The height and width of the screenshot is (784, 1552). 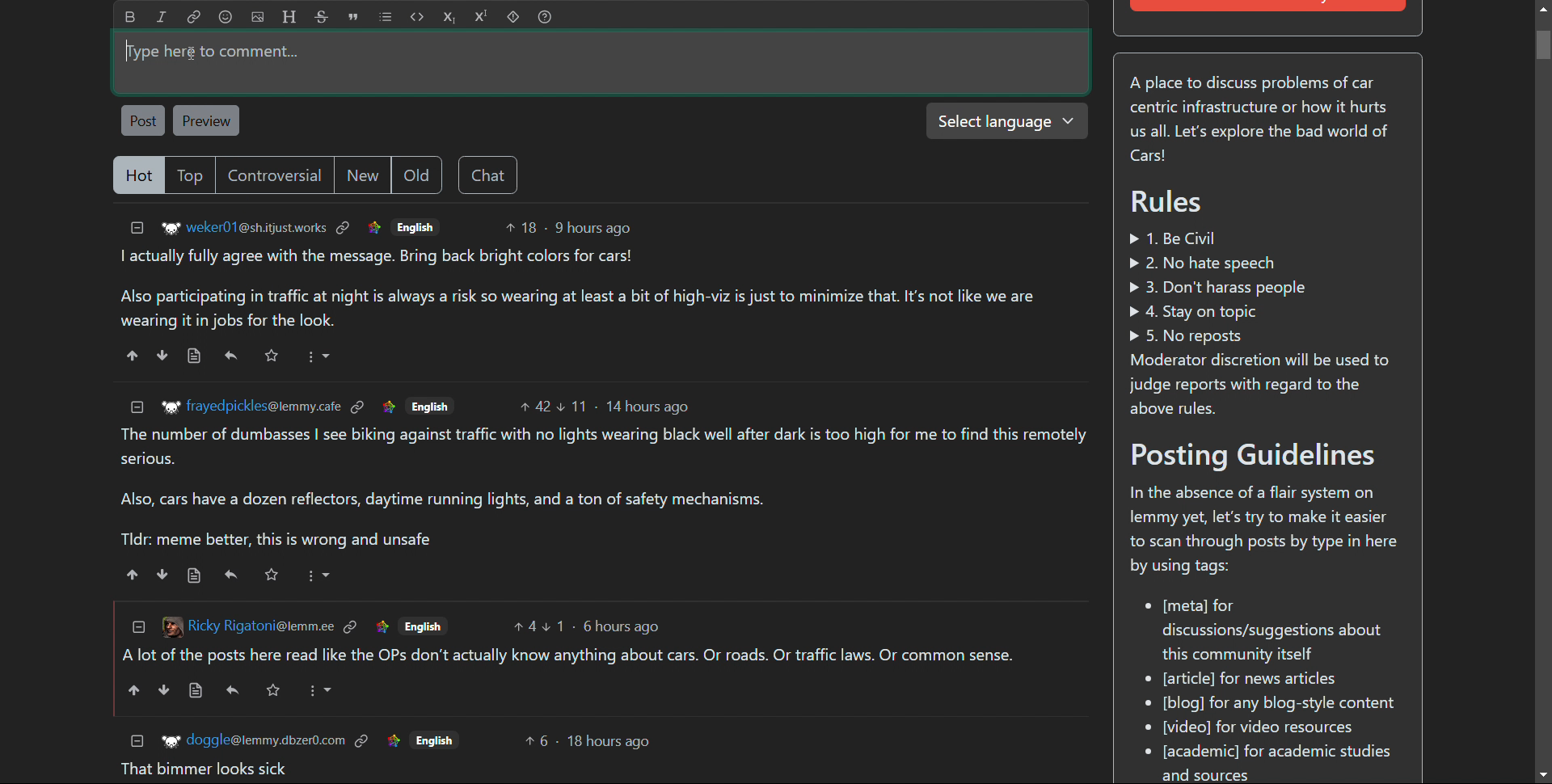 I want to click on bold, so click(x=130, y=17).